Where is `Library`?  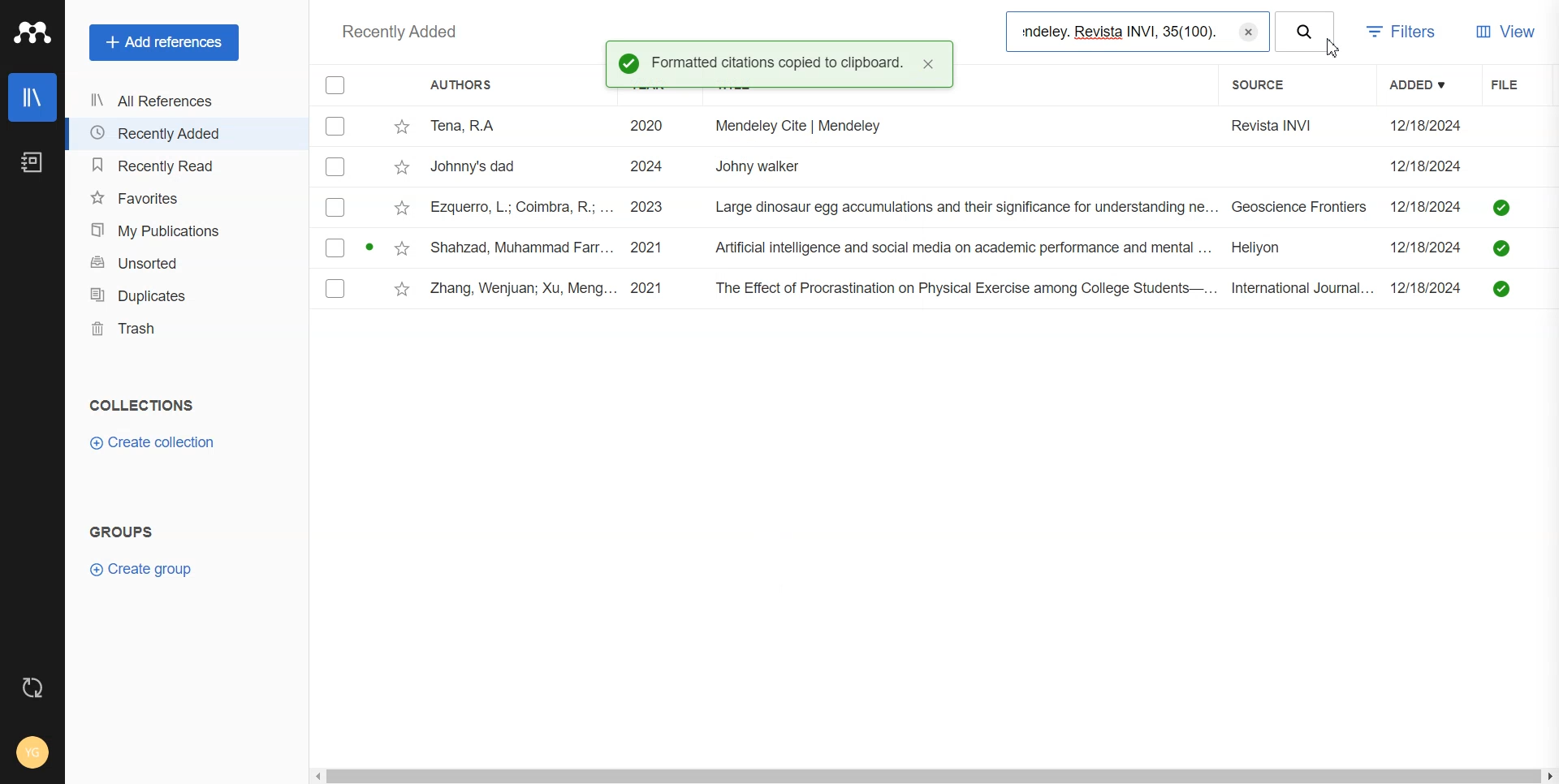 Library is located at coordinates (33, 97).